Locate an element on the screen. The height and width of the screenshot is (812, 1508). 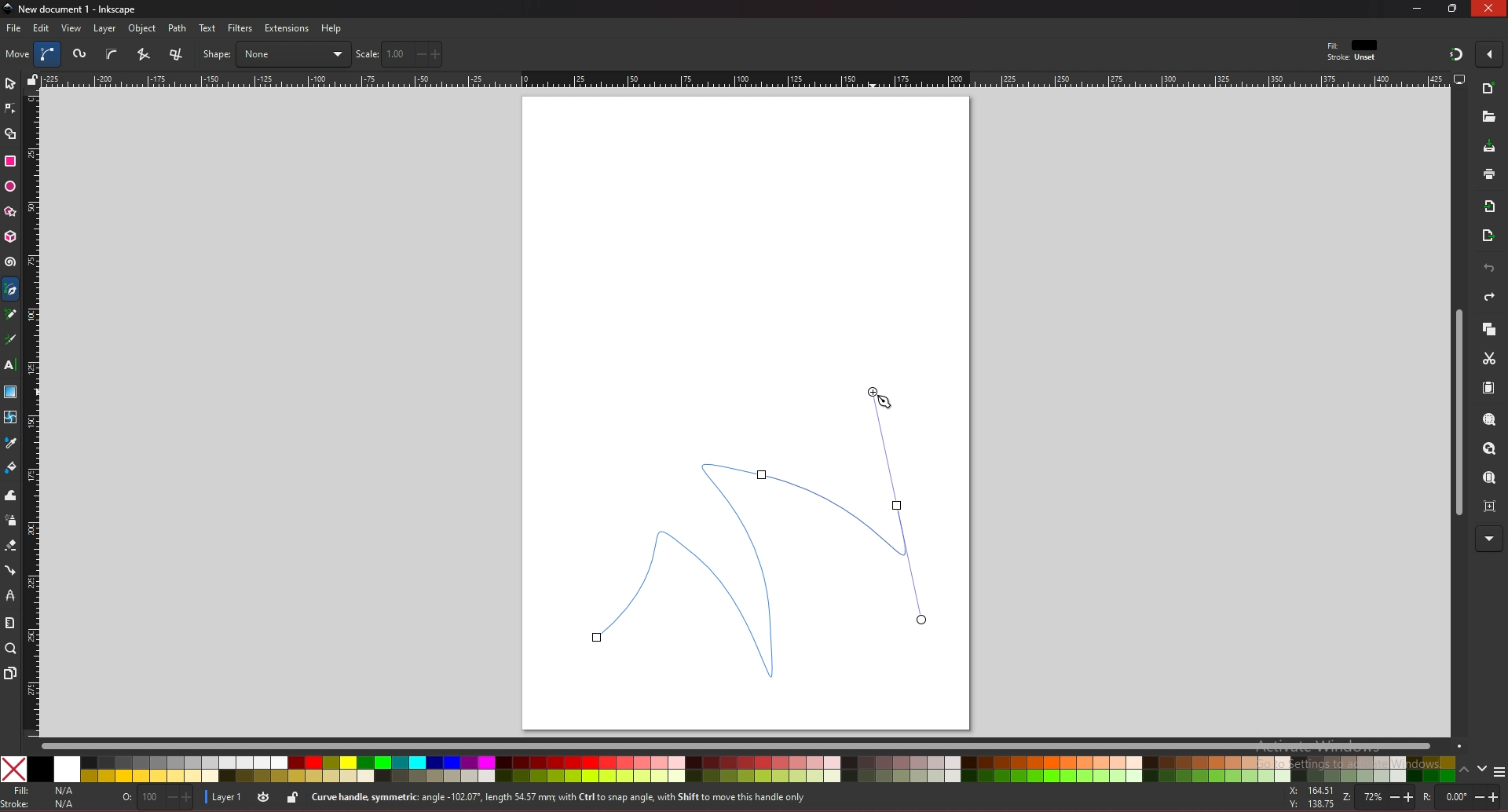
stroke is located at coordinates (1352, 58).